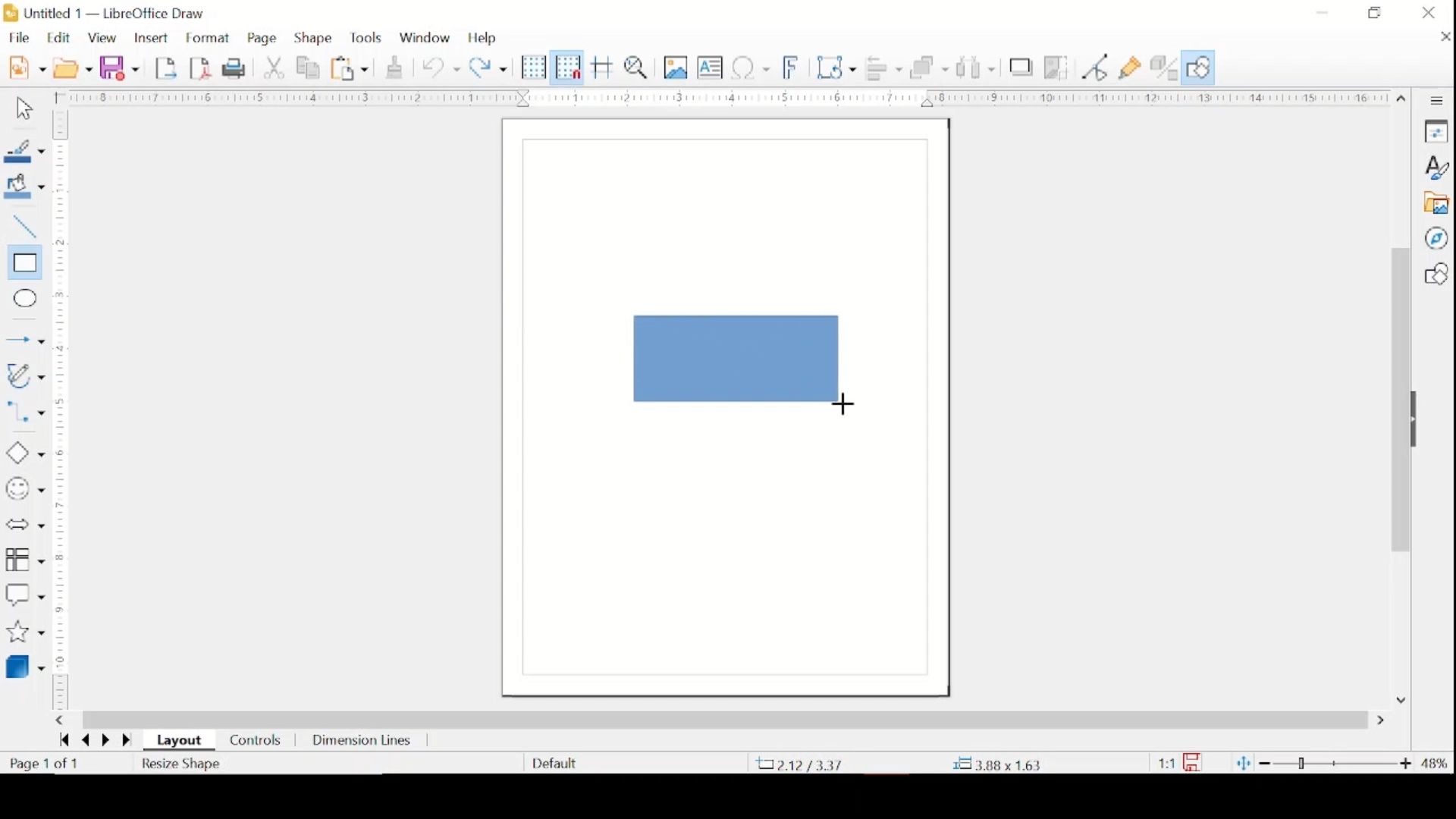 The width and height of the screenshot is (1456, 819). Describe the element at coordinates (264, 39) in the screenshot. I see `page` at that location.